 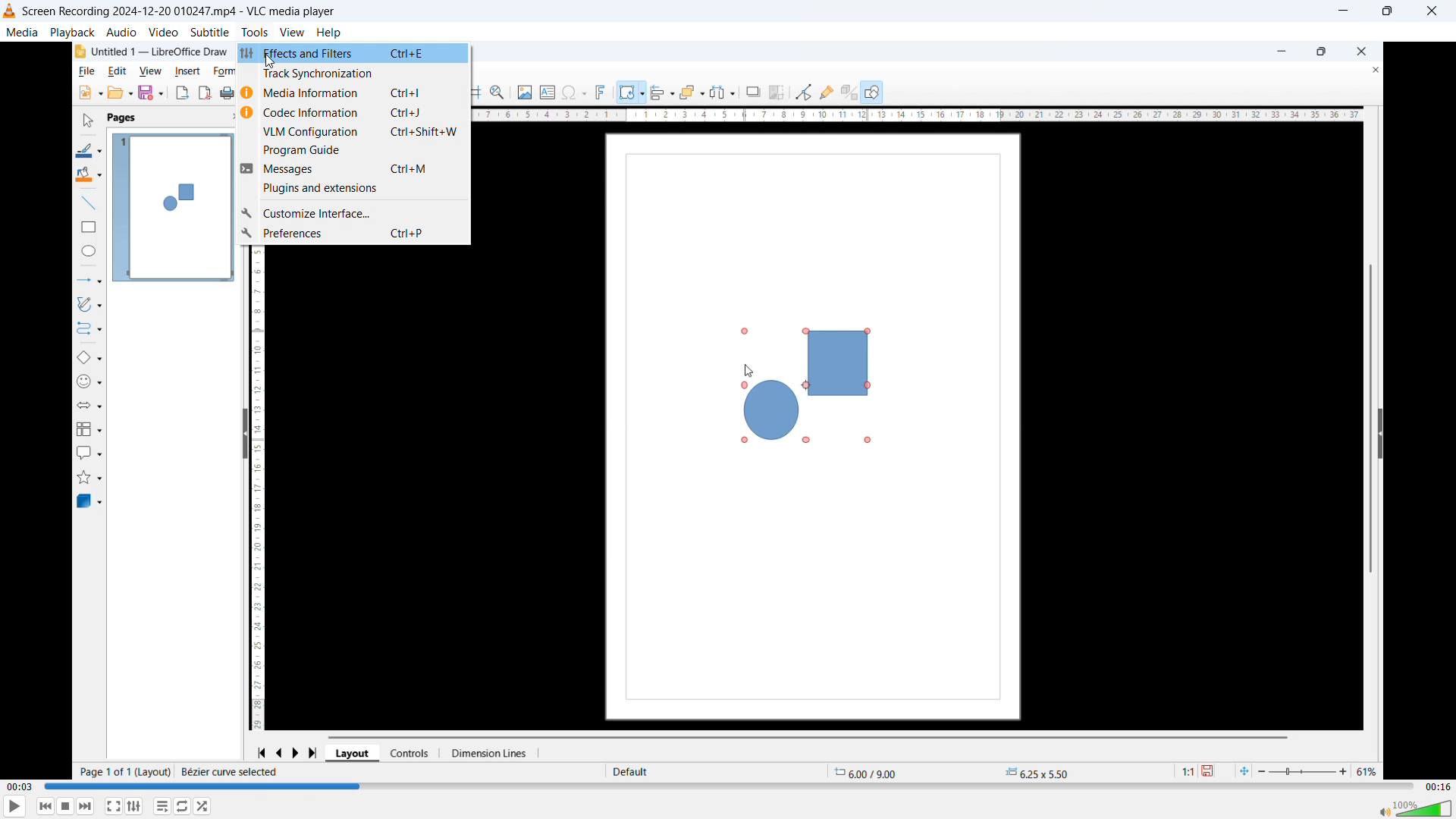 I want to click on play , so click(x=15, y=806).